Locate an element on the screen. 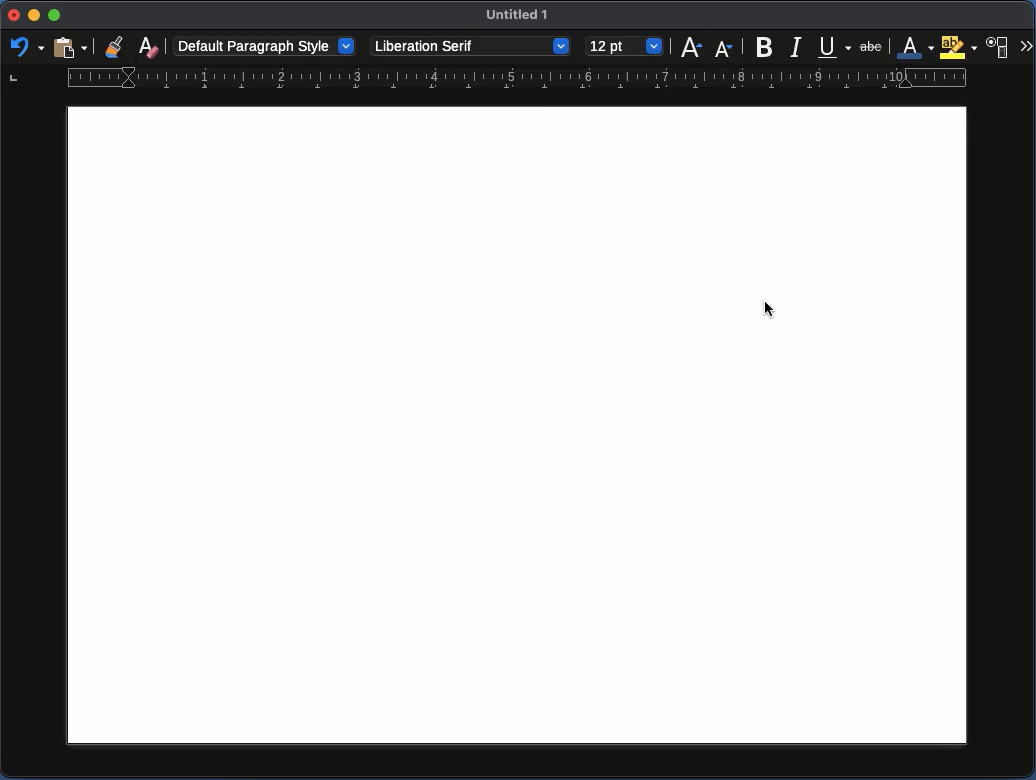 The width and height of the screenshot is (1036, 780). Ruler is located at coordinates (488, 80).